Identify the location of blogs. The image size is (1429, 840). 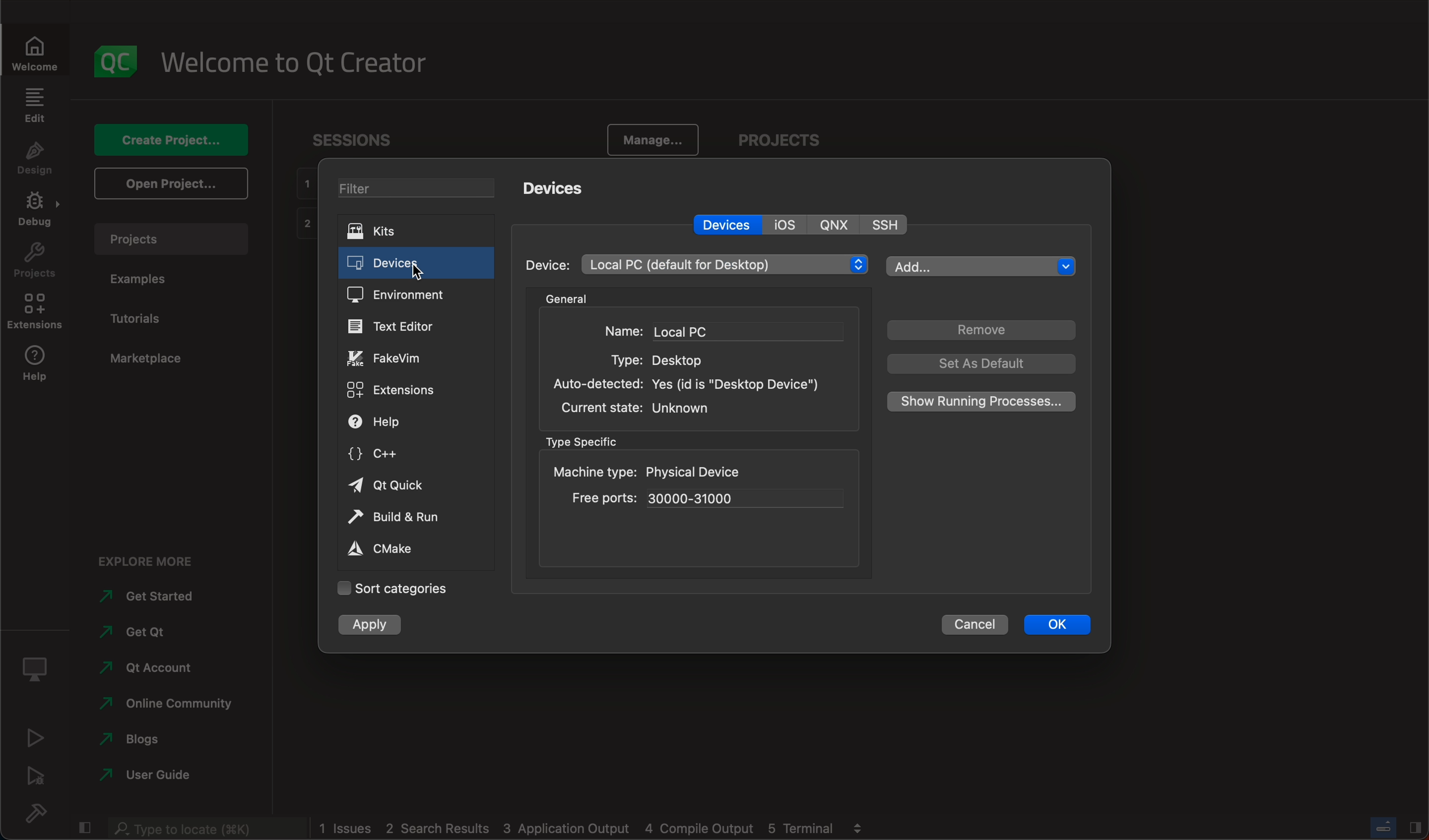
(163, 737).